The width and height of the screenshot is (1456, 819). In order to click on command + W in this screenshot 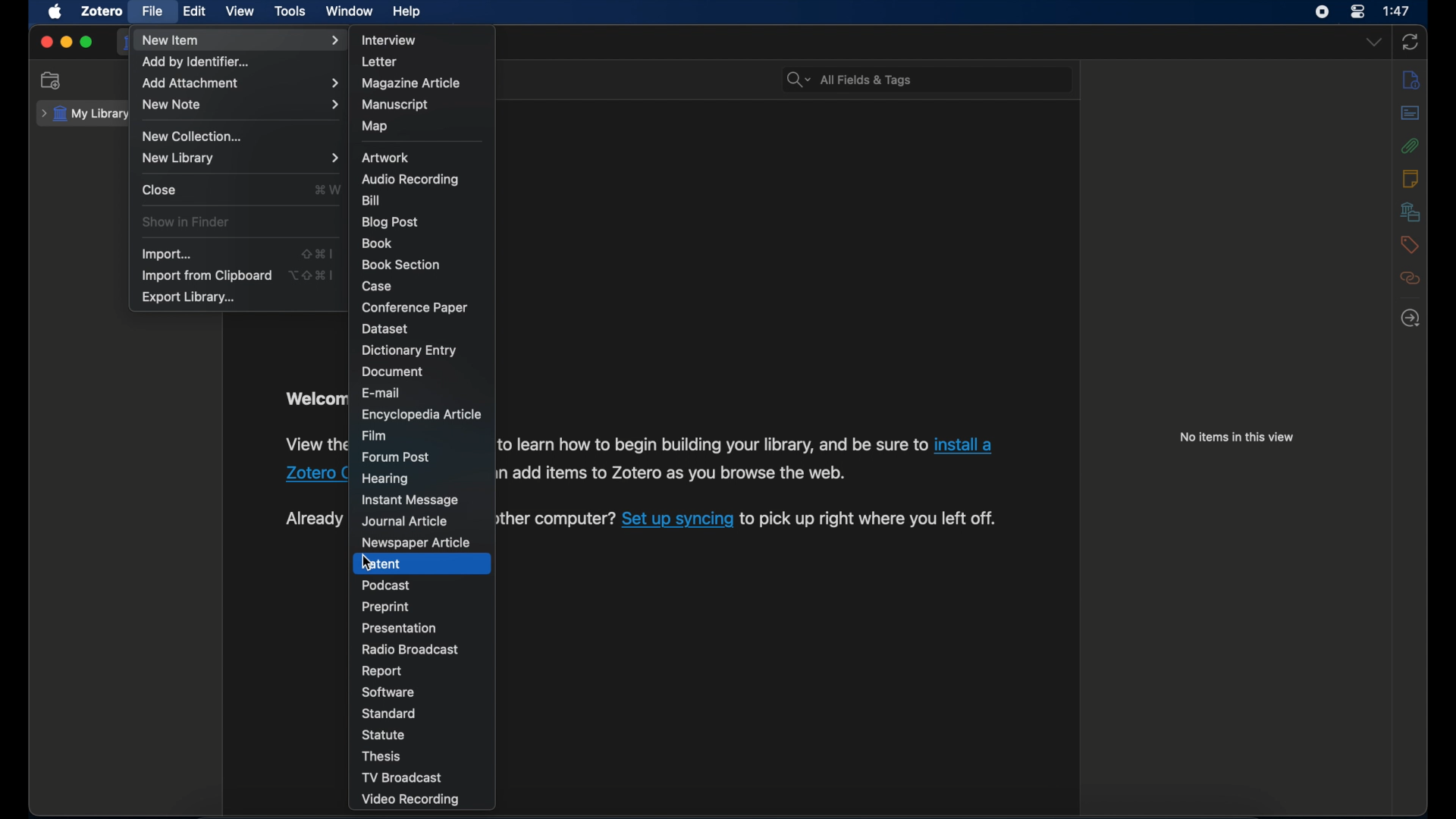, I will do `click(328, 189)`.